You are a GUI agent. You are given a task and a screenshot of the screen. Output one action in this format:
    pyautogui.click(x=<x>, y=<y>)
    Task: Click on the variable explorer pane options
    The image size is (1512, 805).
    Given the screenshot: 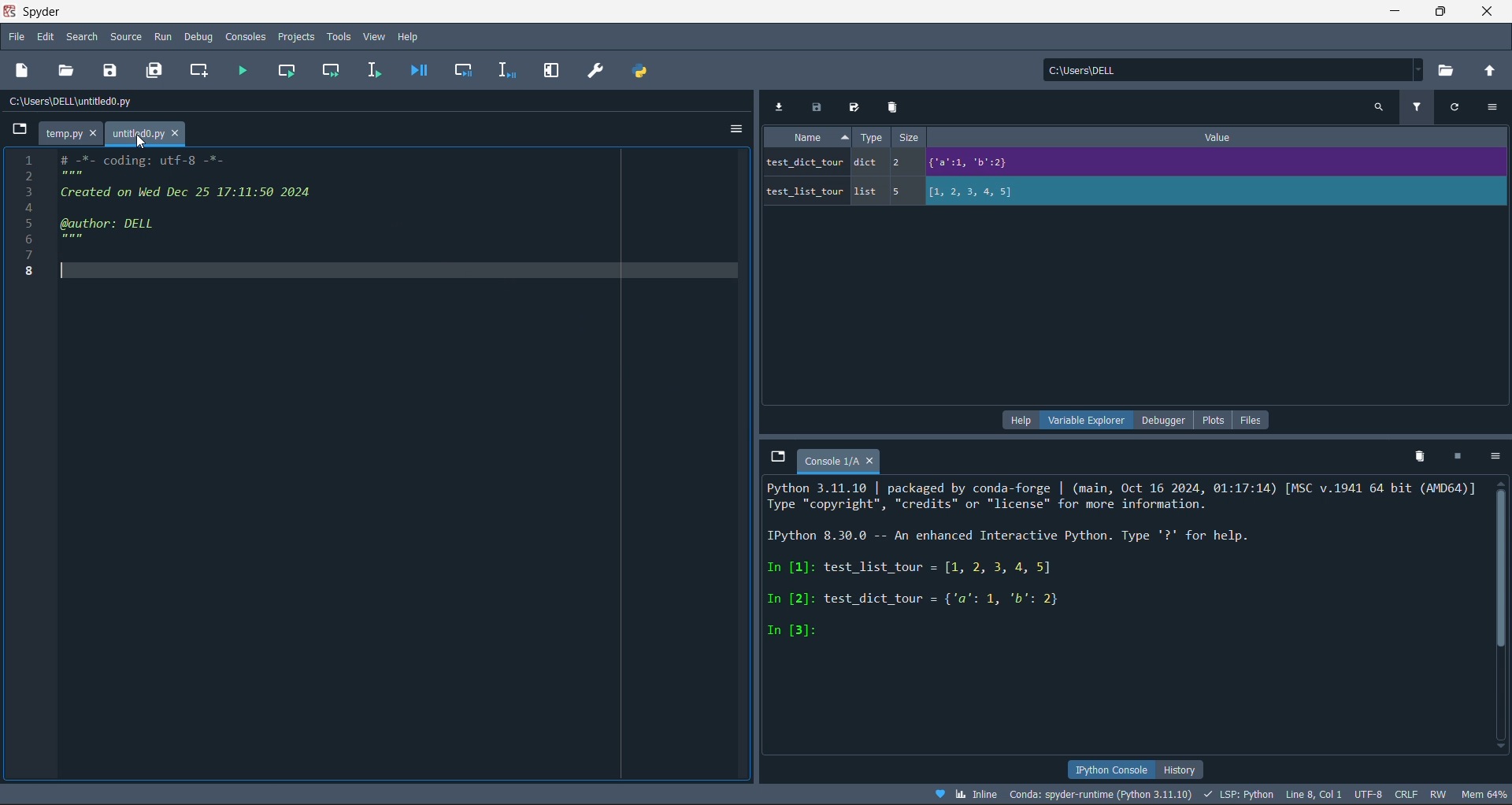 What is the action you would take?
    pyautogui.click(x=1080, y=421)
    